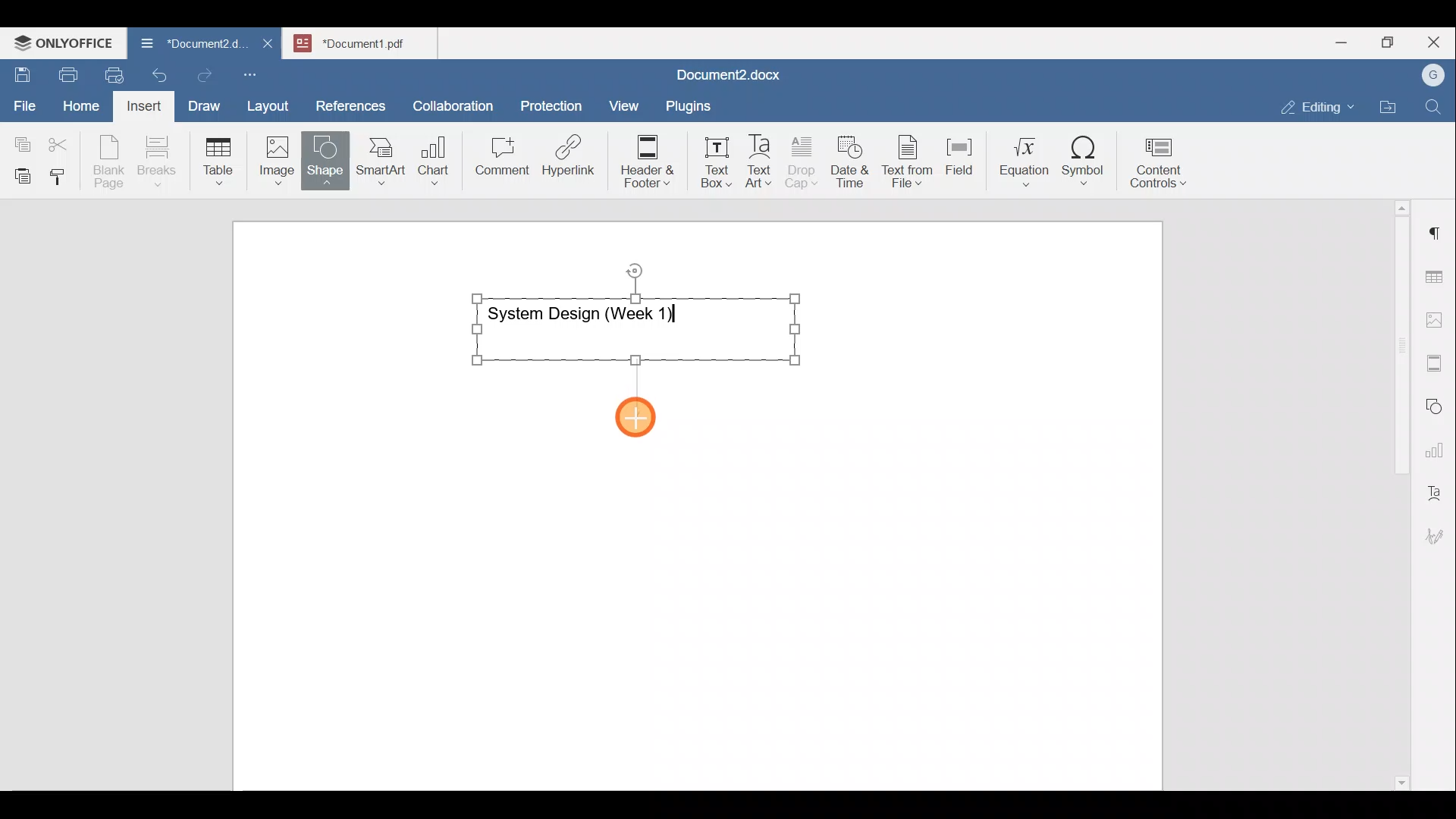 The height and width of the screenshot is (819, 1456). What do you see at coordinates (1437, 359) in the screenshot?
I see `Headers & footers` at bounding box center [1437, 359].